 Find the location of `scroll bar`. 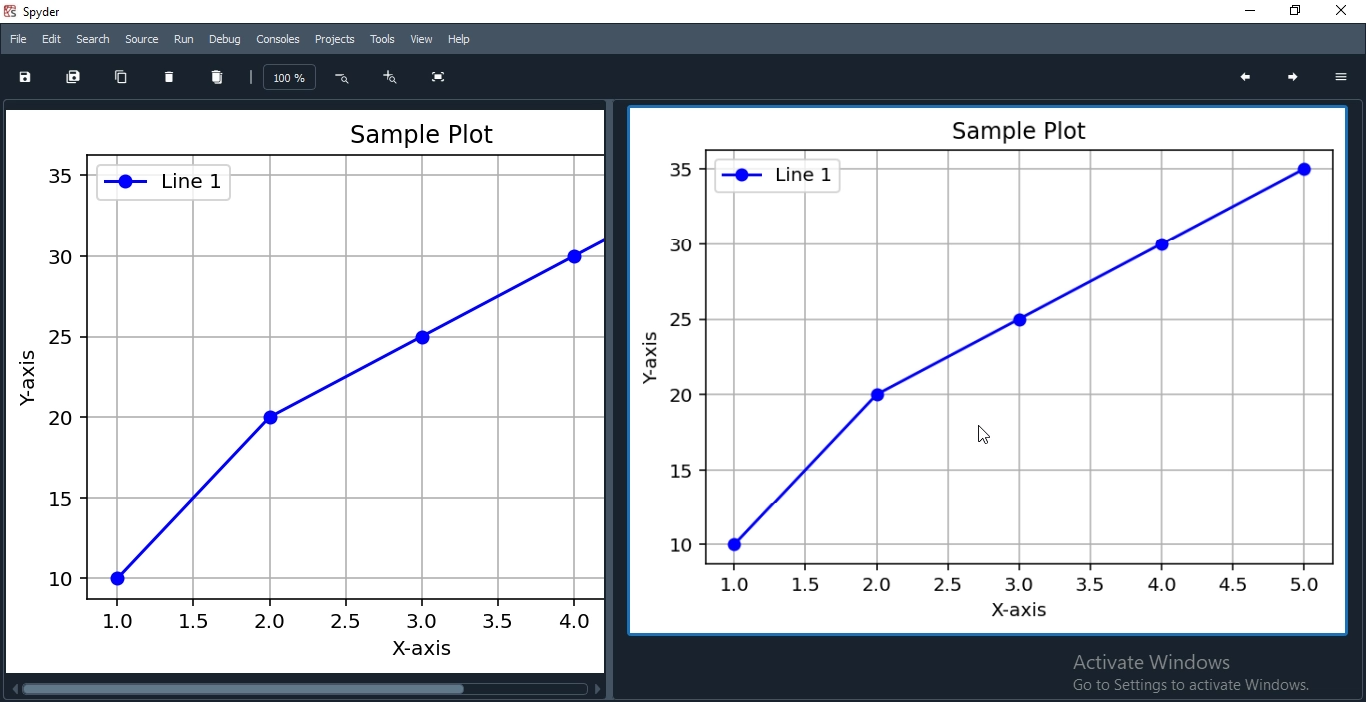

scroll bar is located at coordinates (305, 690).